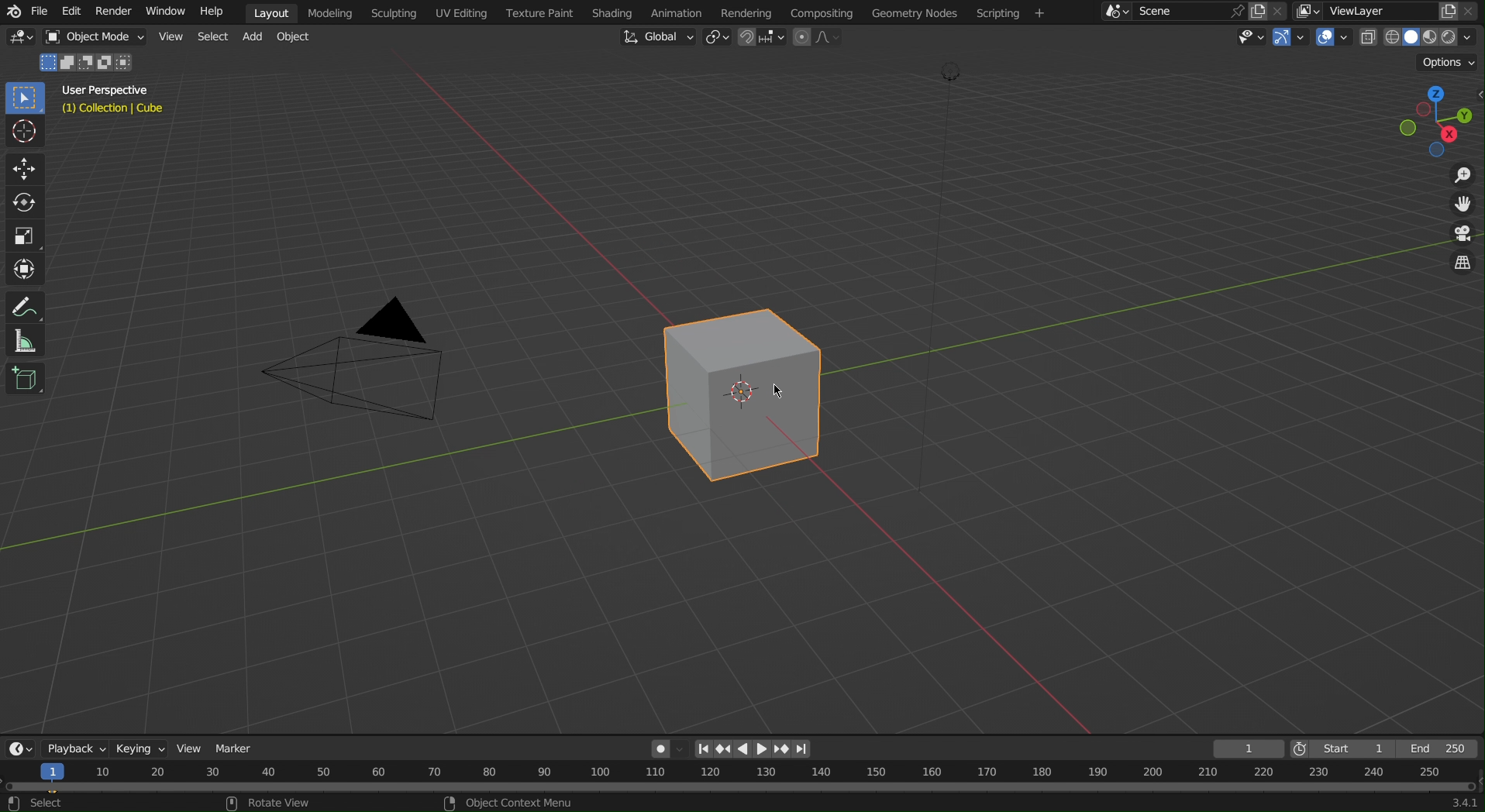 The width and height of the screenshot is (1485, 812). What do you see at coordinates (1465, 174) in the screenshot?
I see `Zoom ` at bounding box center [1465, 174].